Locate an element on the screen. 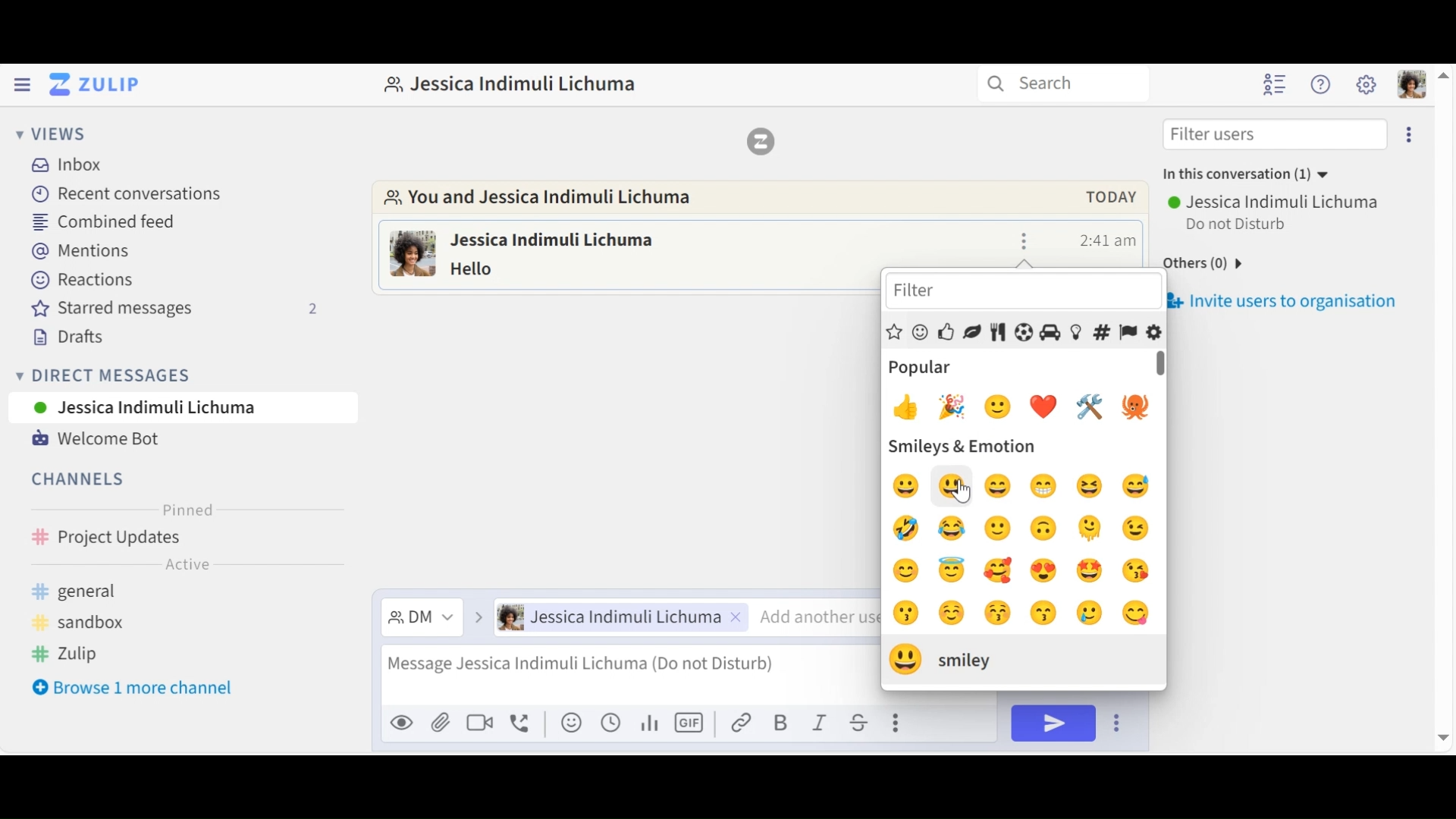 The height and width of the screenshot is (819, 1456). Browse more channel is located at coordinates (133, 688).